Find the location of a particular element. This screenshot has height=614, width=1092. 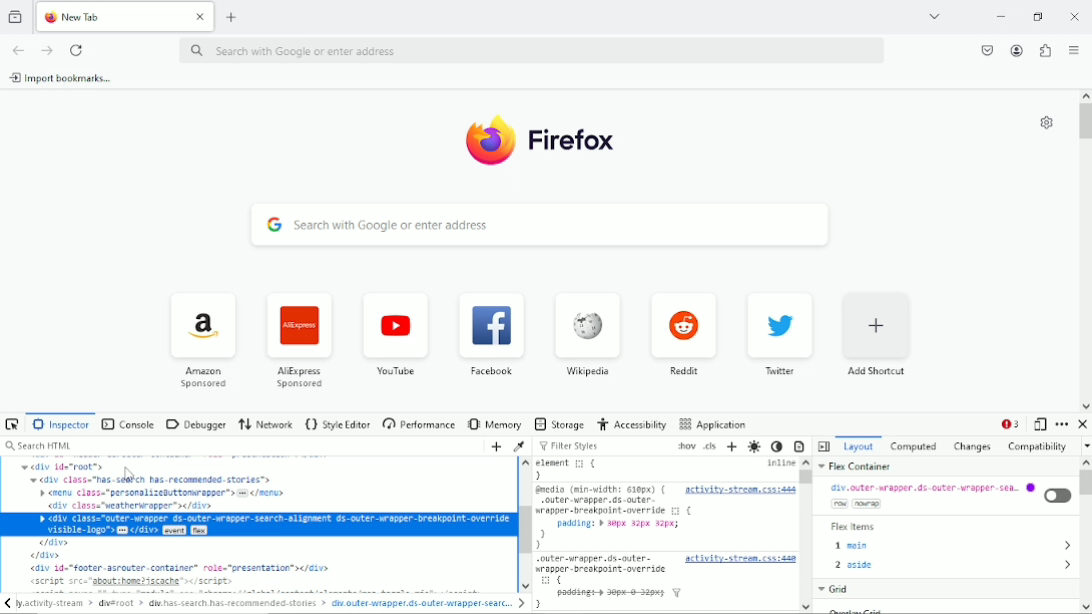

> <div class="outer-wrapper ds-outer-wrapper-search-alignment ds-outer-wrapper-breakpoint-override visible-logo">...</div> event flex is located at coordinates (273, 523).